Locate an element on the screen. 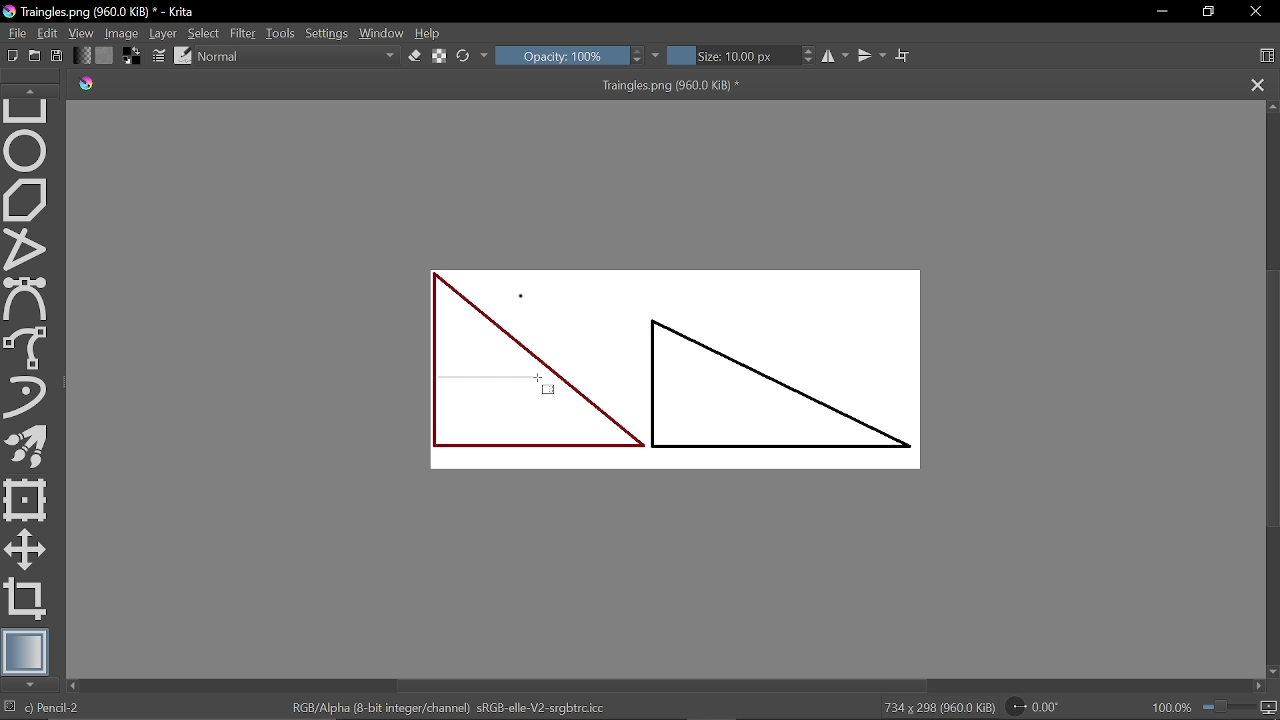 Image resolution: width=1280 pixels, height=720 pixels. Move right is located at coordinates (1259, 685).